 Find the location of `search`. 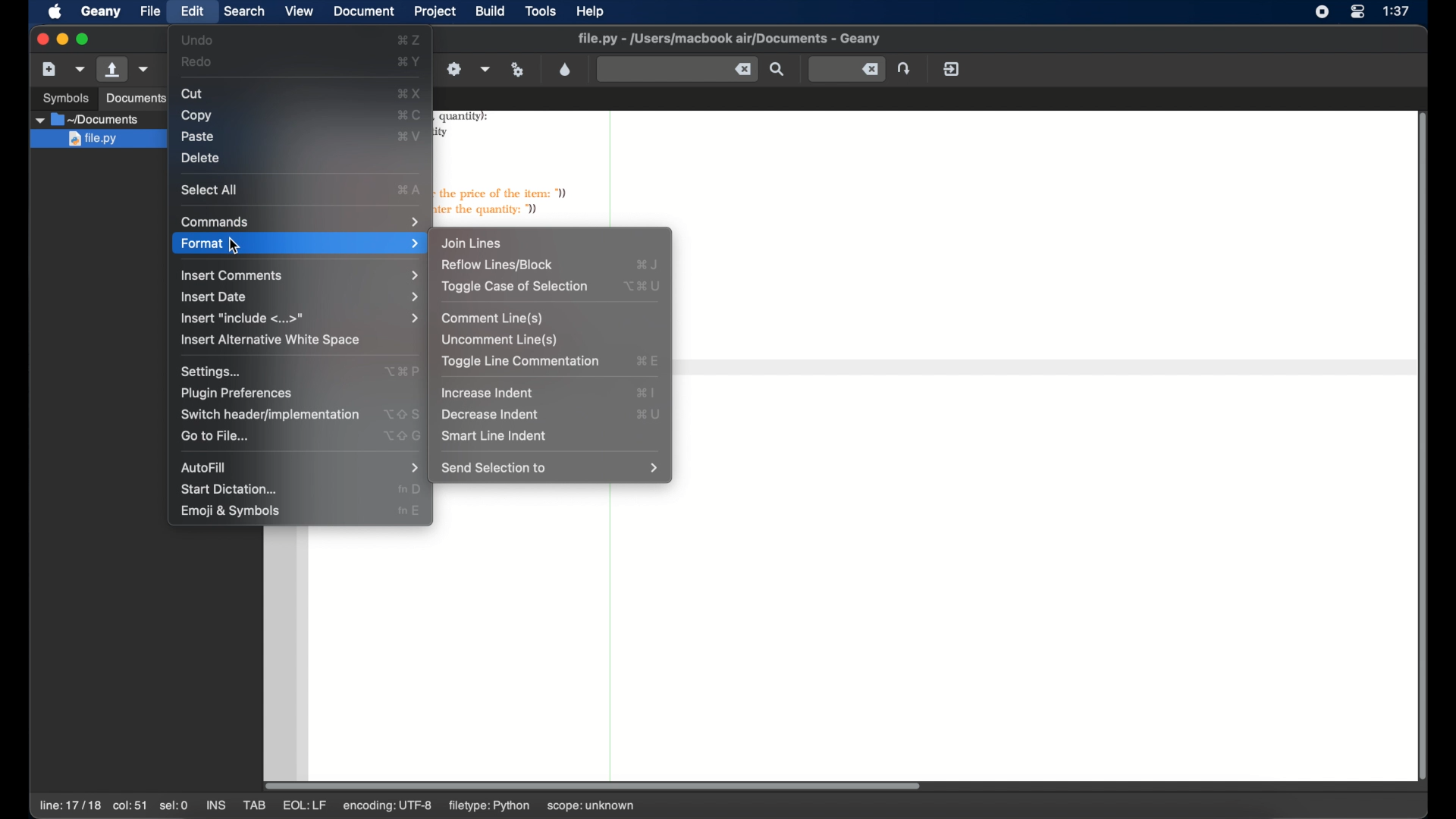

search is located at coordinates (244, 11).